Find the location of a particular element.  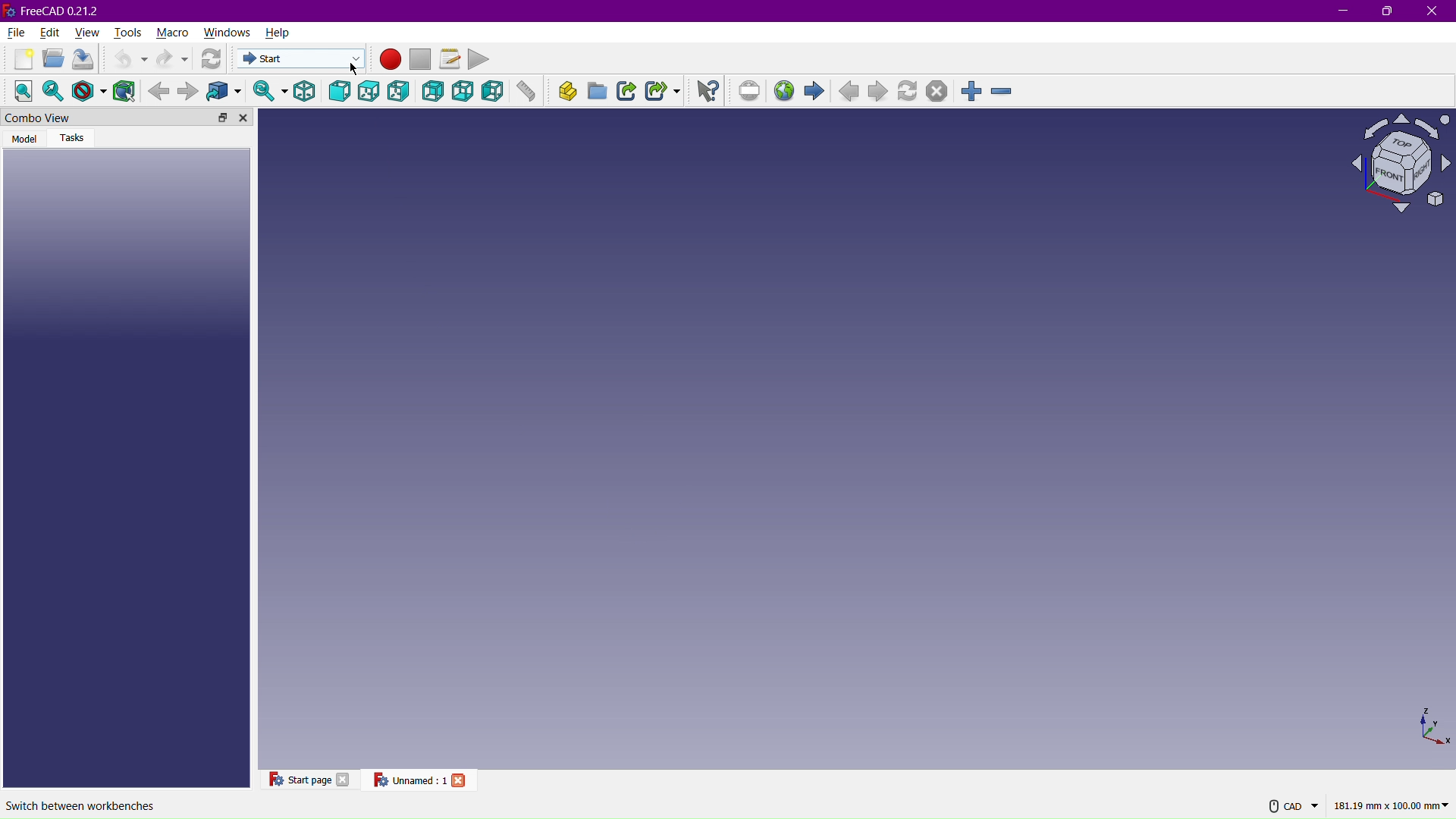

Bounding Box is located at coordinates (124, 89).